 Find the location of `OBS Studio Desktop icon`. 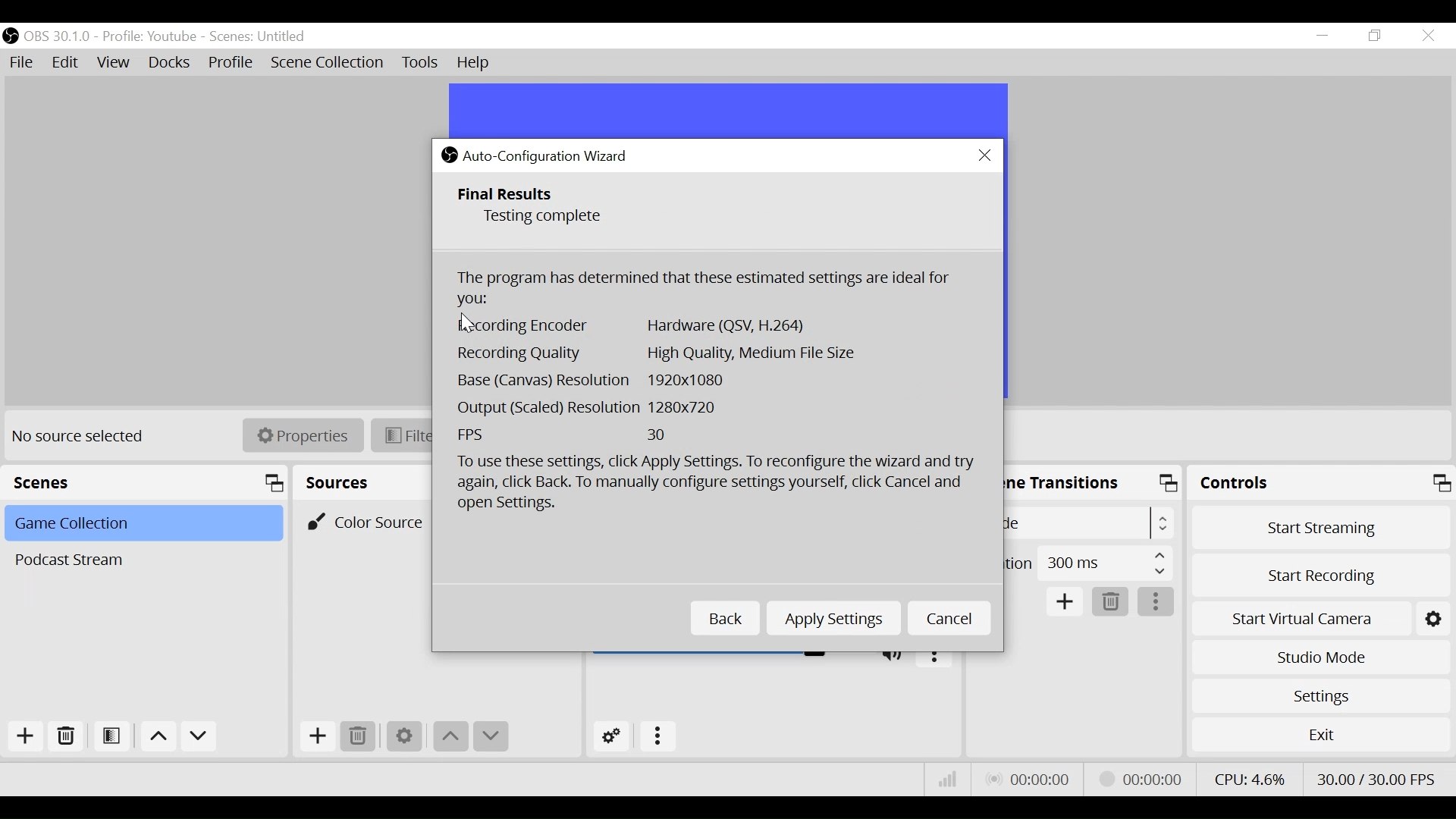

OBS Studio Desktop icon is located at coordinates (449, 154).